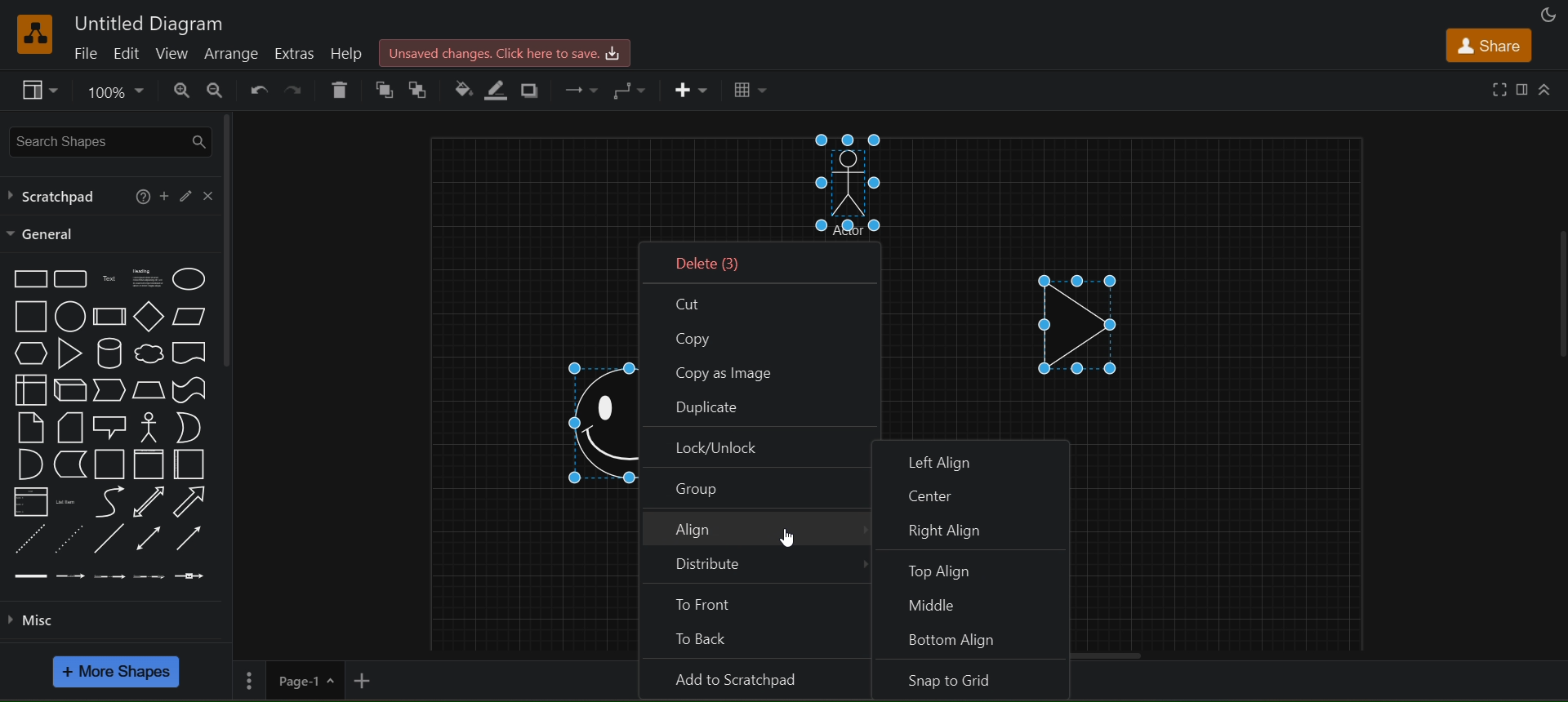 The image size is (1568, 702). Describe the element at coordinates (164, 195) in the screenshot. I see `add` at that location.